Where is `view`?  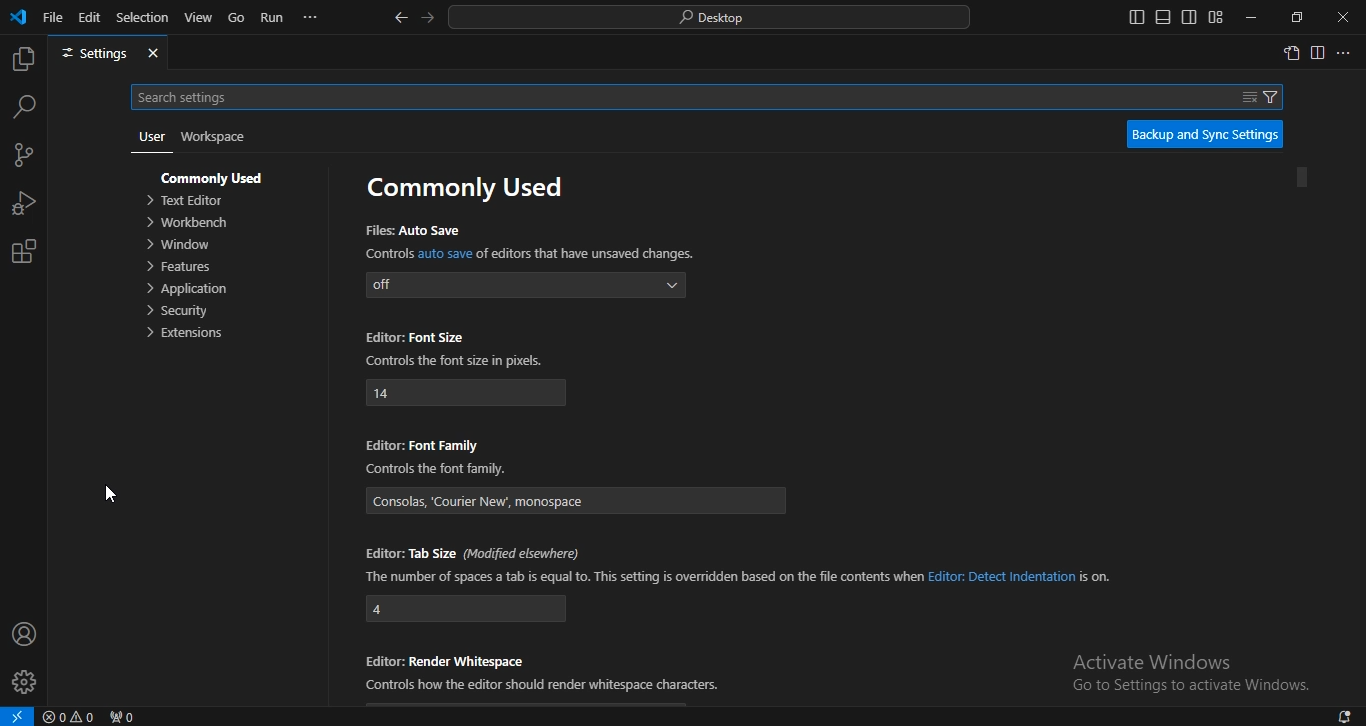 view is located at coordinates (199, 18).